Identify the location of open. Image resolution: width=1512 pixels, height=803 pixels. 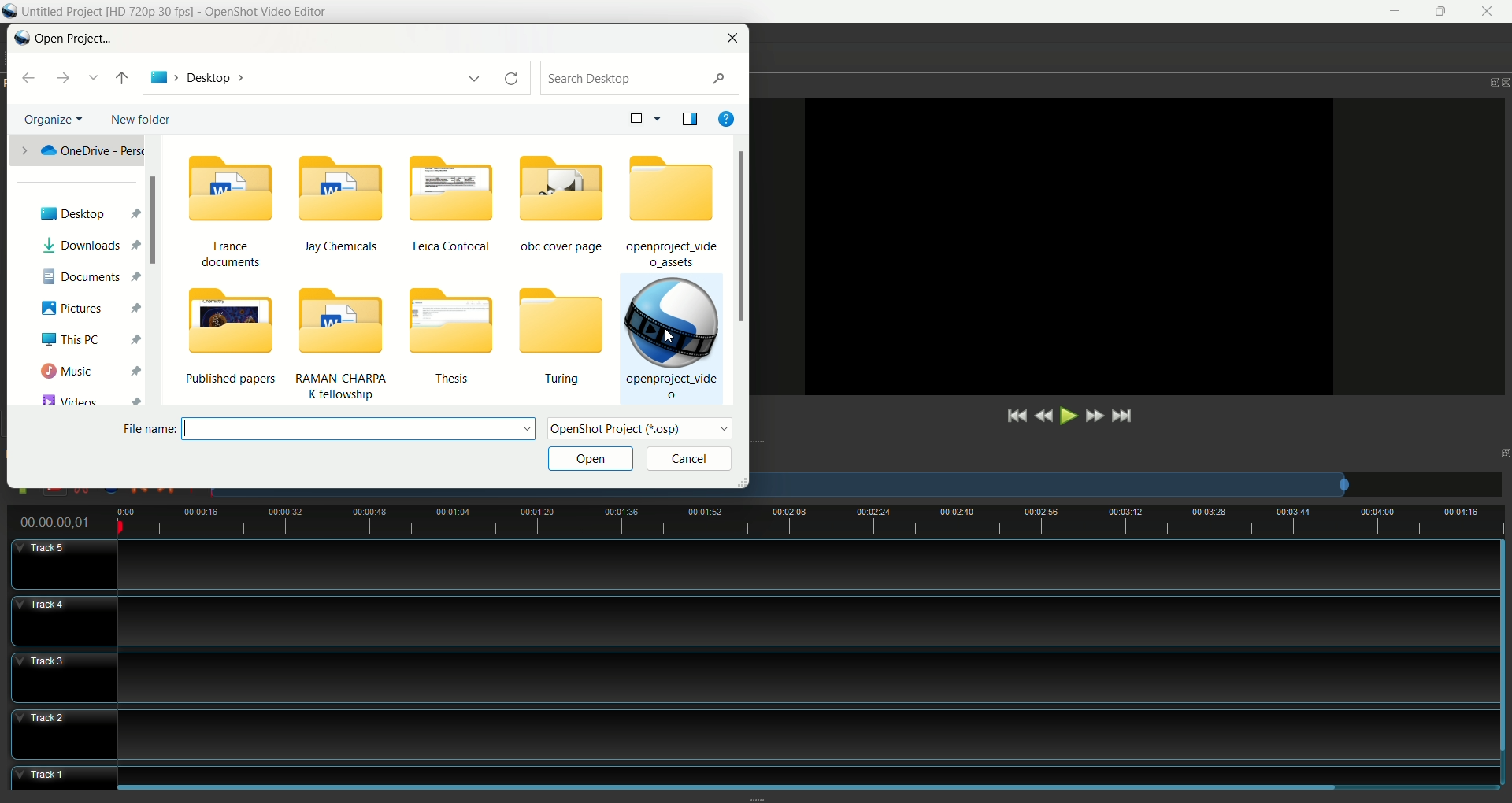
(589, 460).